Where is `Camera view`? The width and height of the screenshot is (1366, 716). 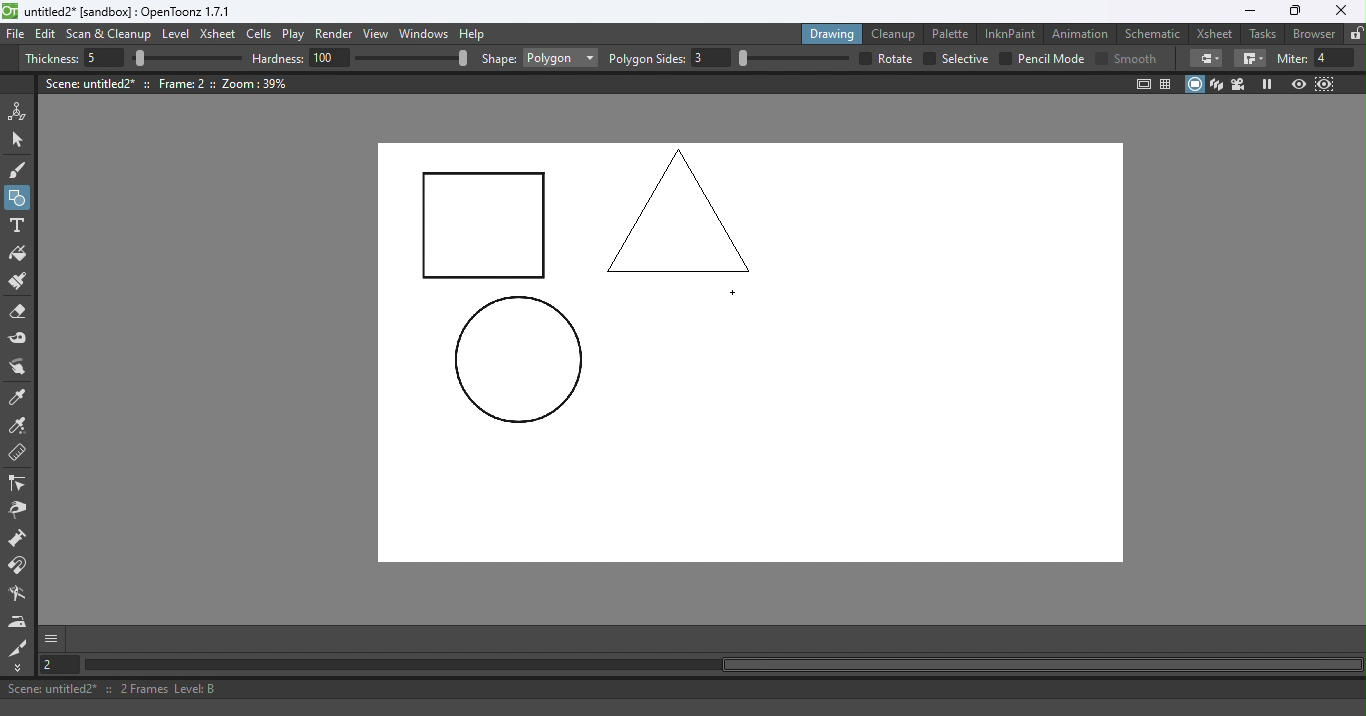
Camera view is located at coordinates (1241, 83).